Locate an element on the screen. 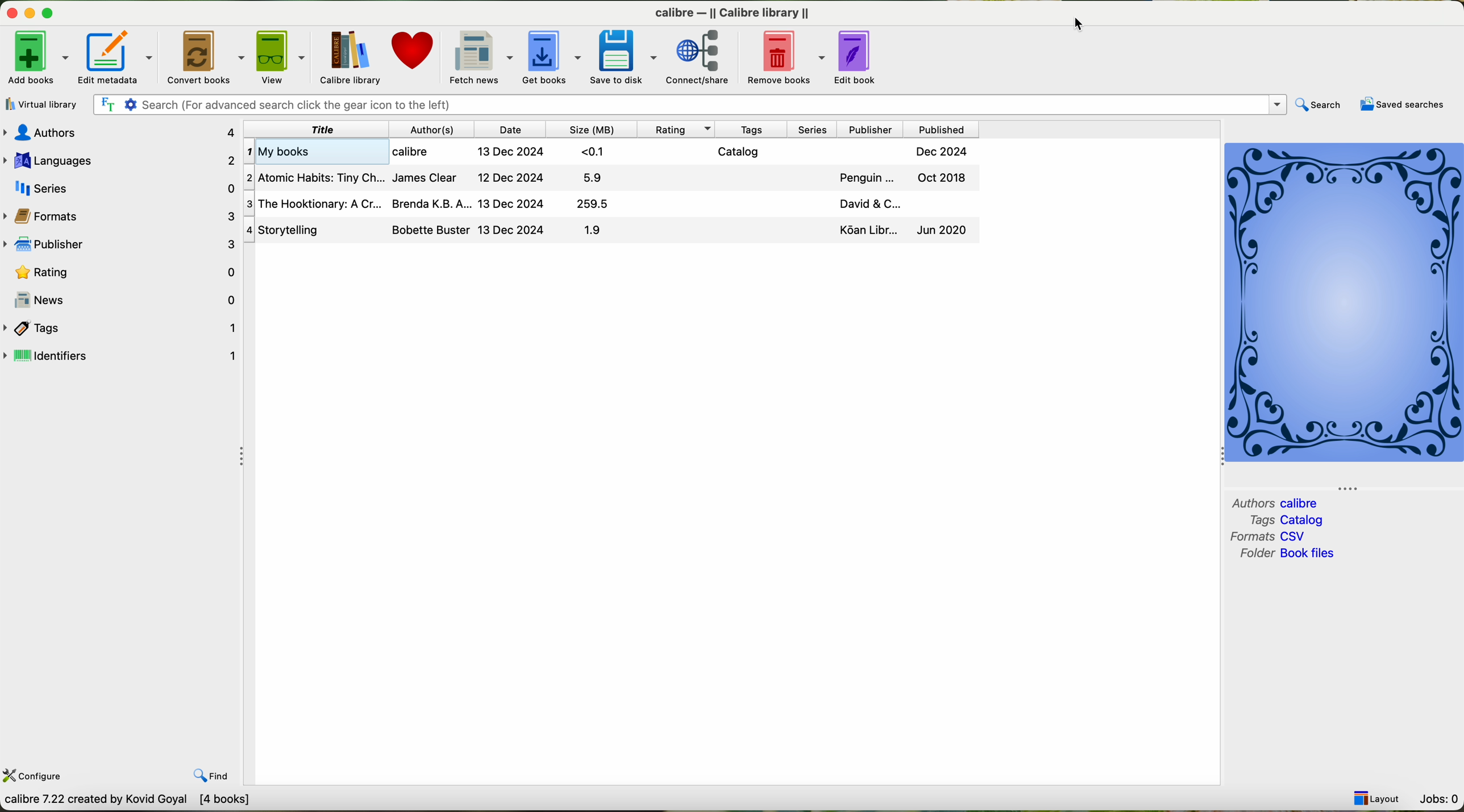  minimize Calibre is located at coordinates (30, 14).